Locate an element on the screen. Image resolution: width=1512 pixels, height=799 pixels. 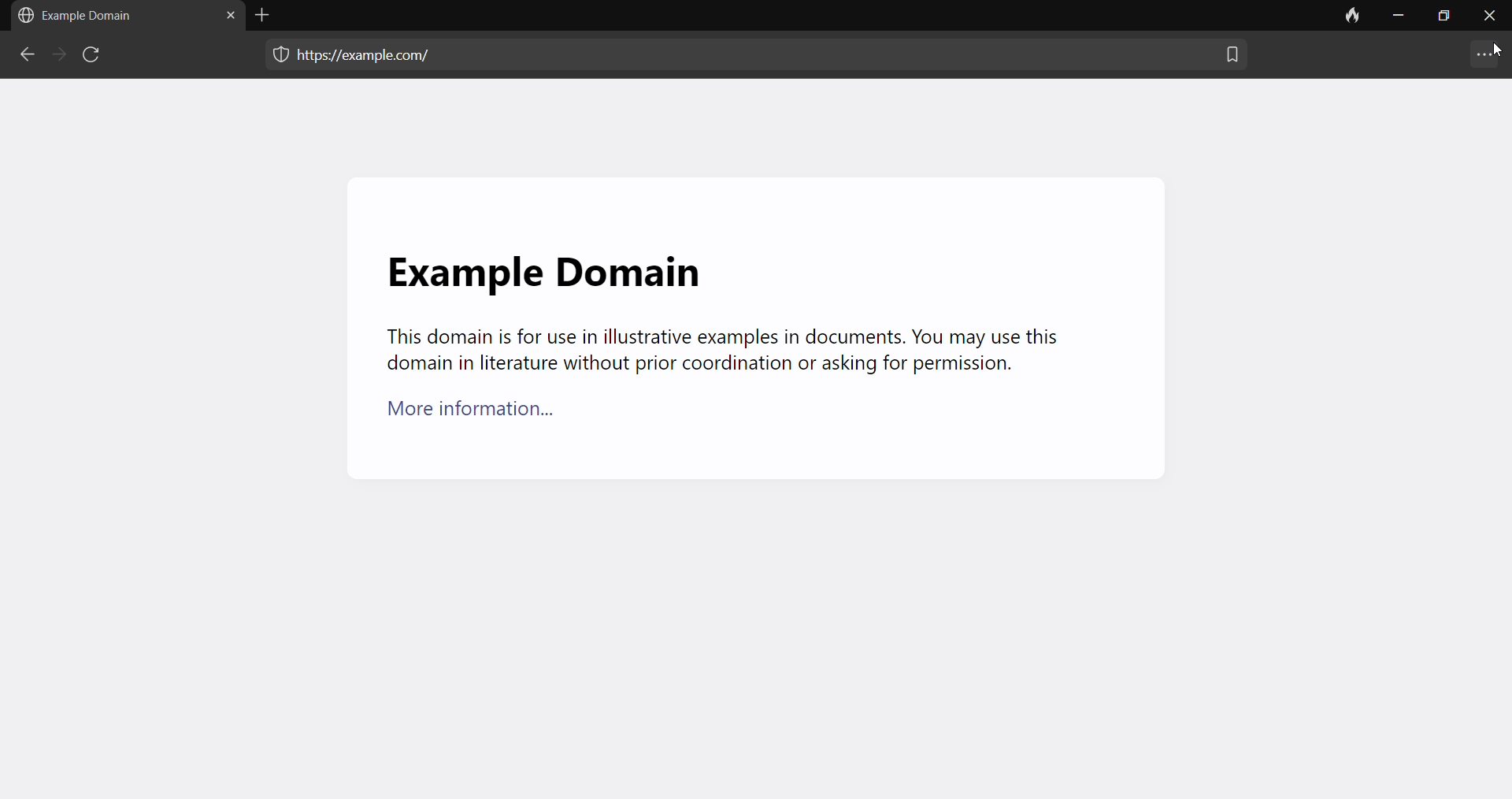
web address is located at coordinates (372, 53).